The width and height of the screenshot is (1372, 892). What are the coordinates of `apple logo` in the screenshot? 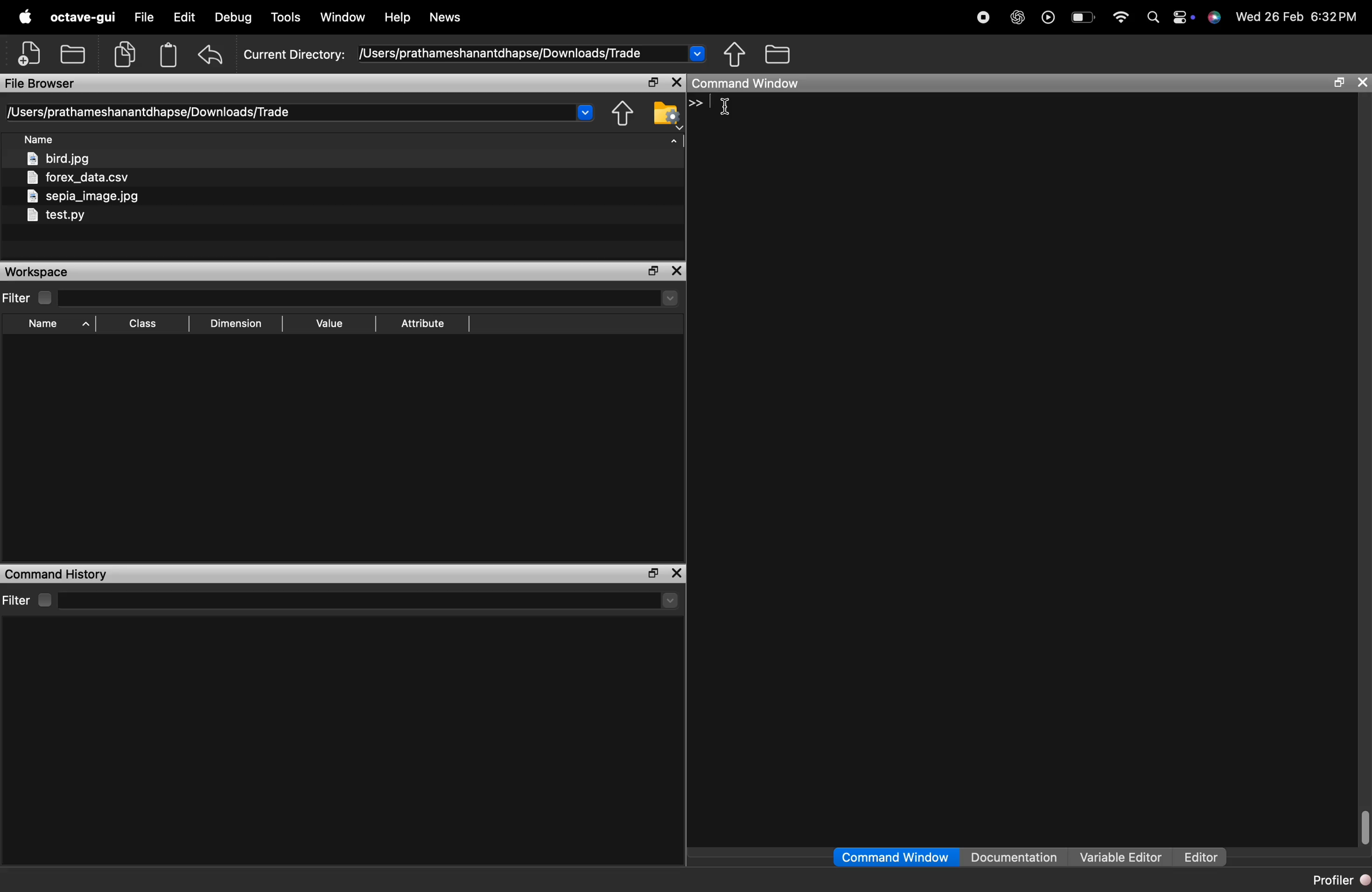 It's located at (23, 16).